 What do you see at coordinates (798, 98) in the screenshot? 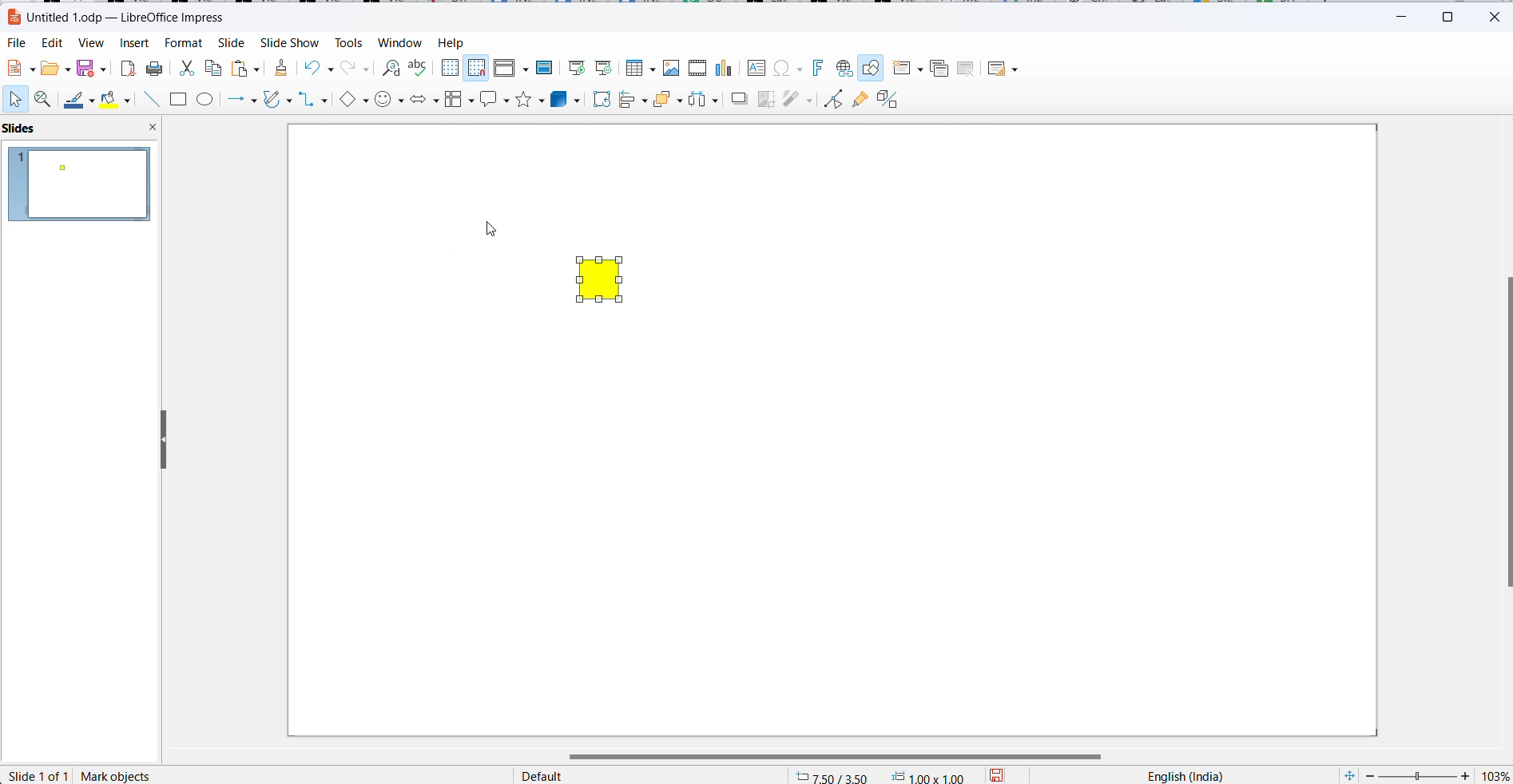
I see `filters` at bounding box center [798, 98].